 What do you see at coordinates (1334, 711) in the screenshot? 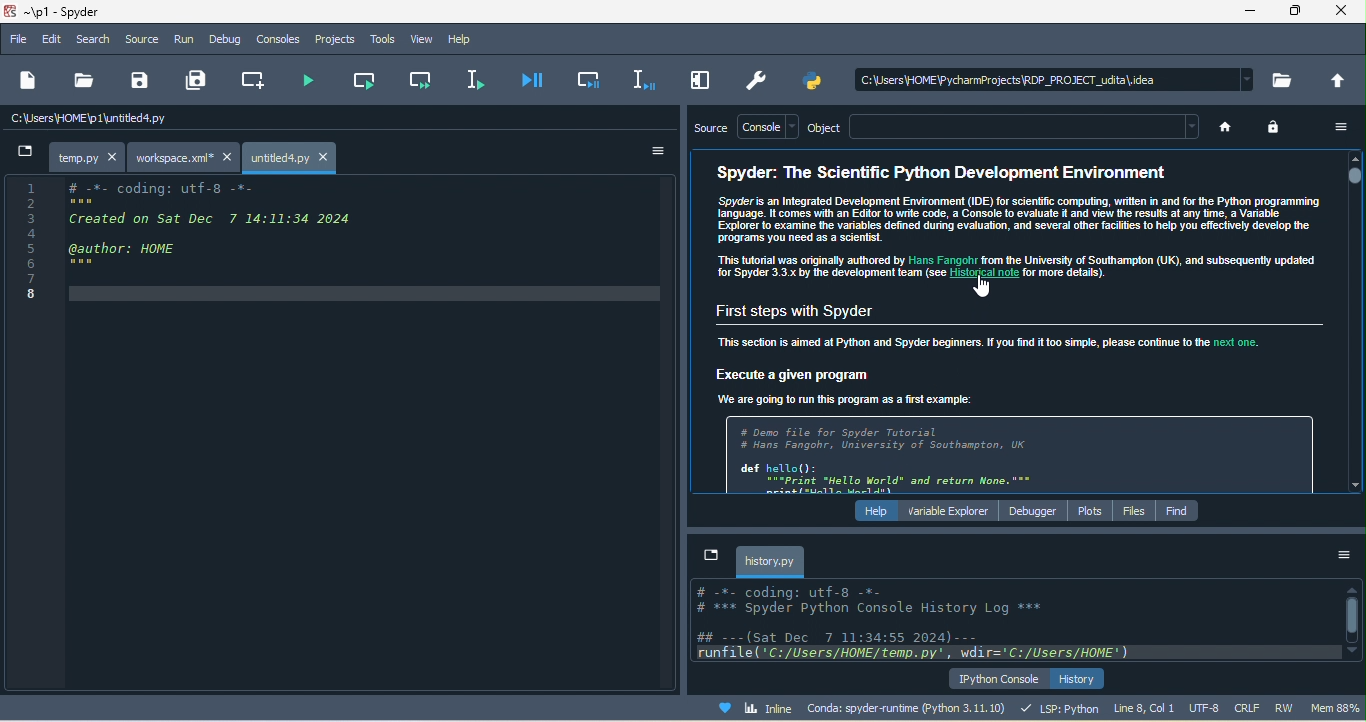
I see `mem 90%` at bounding box center [1334, 711].